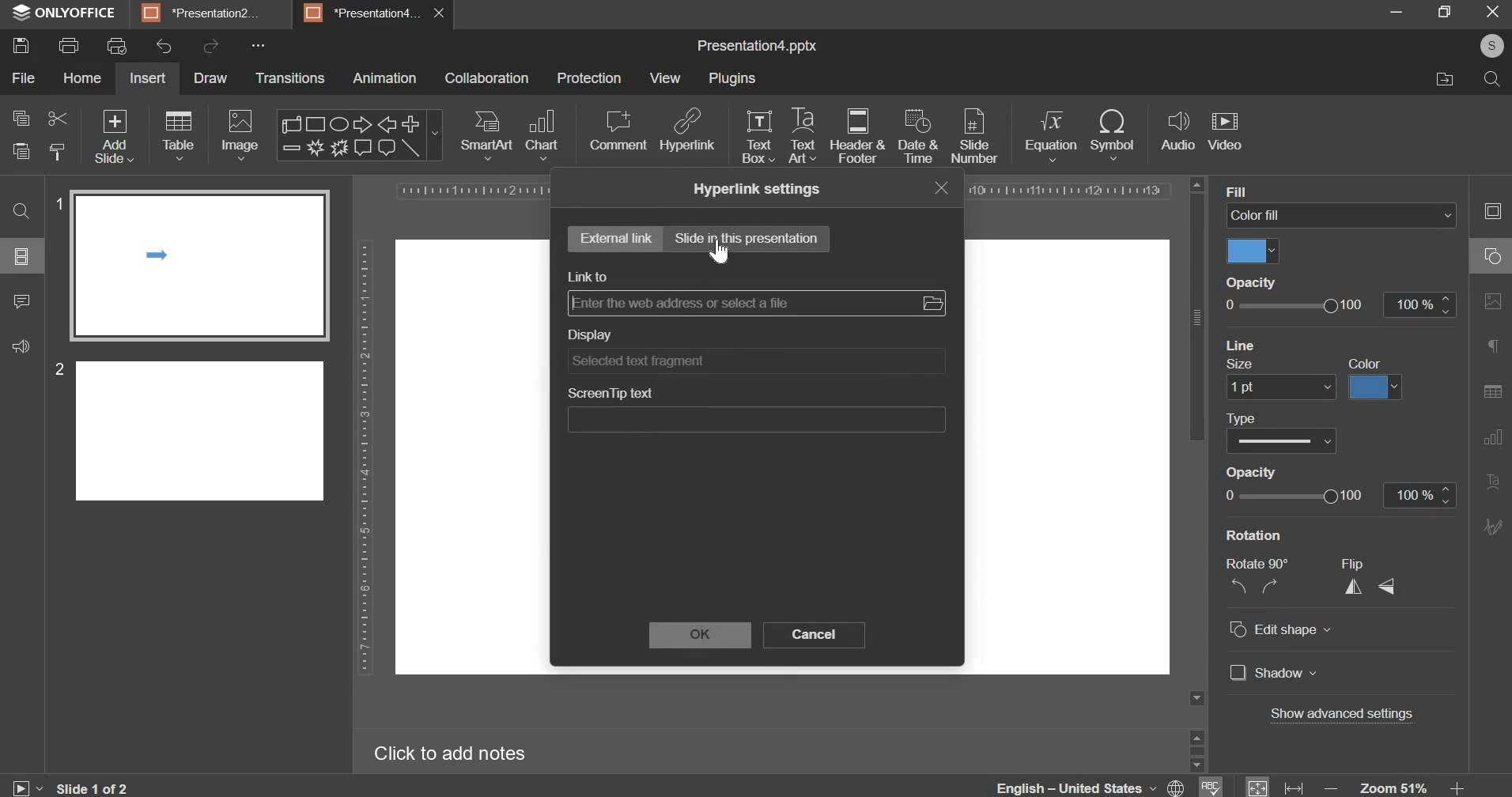 The image size is (1512, 797). What do you see at coordinates (1291, 345) in the screenshot?
I see `` at bounding box center [1291, 345].